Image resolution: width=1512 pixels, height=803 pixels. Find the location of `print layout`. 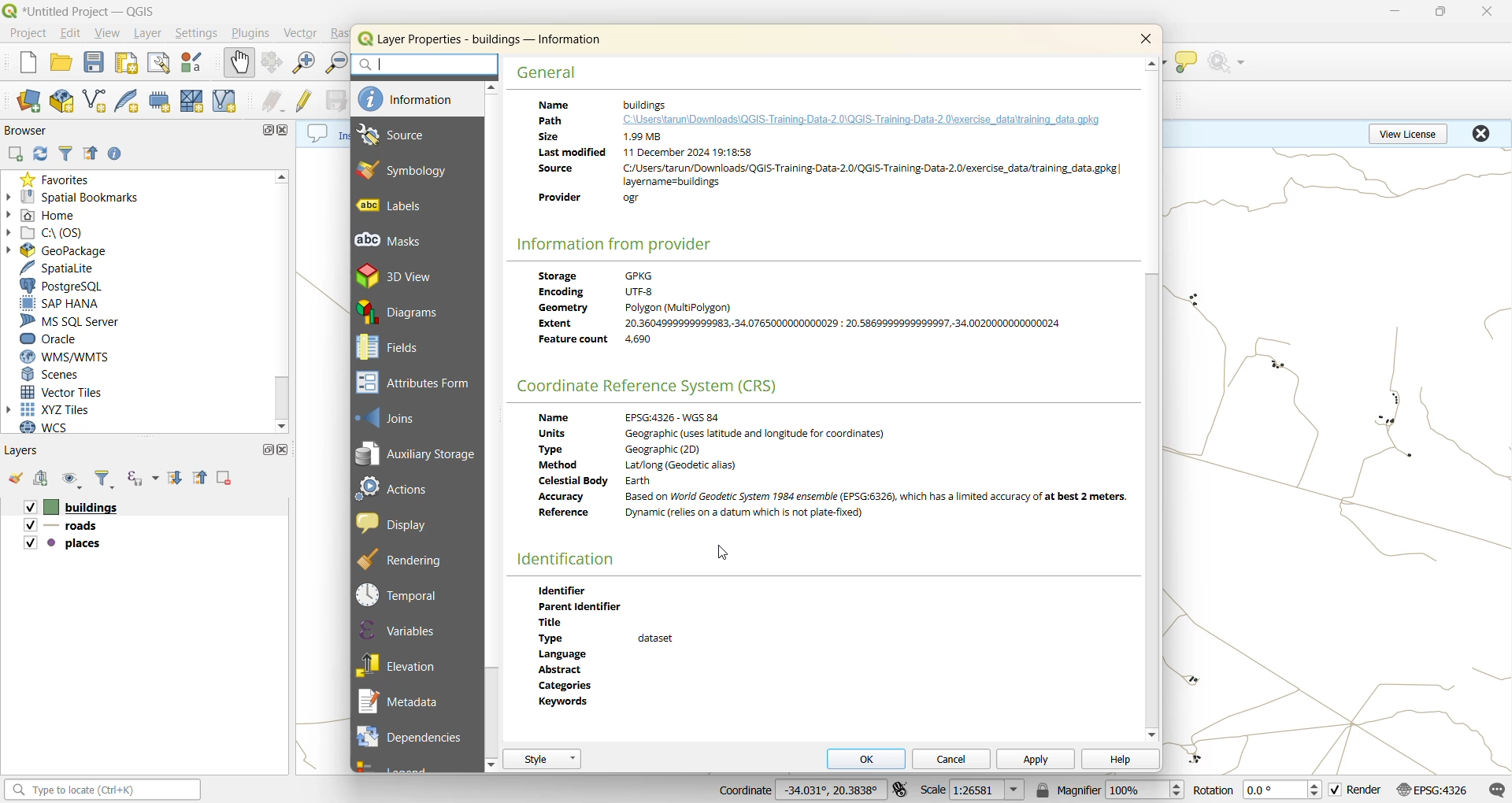

print layout is located at coordinates (128, 62).